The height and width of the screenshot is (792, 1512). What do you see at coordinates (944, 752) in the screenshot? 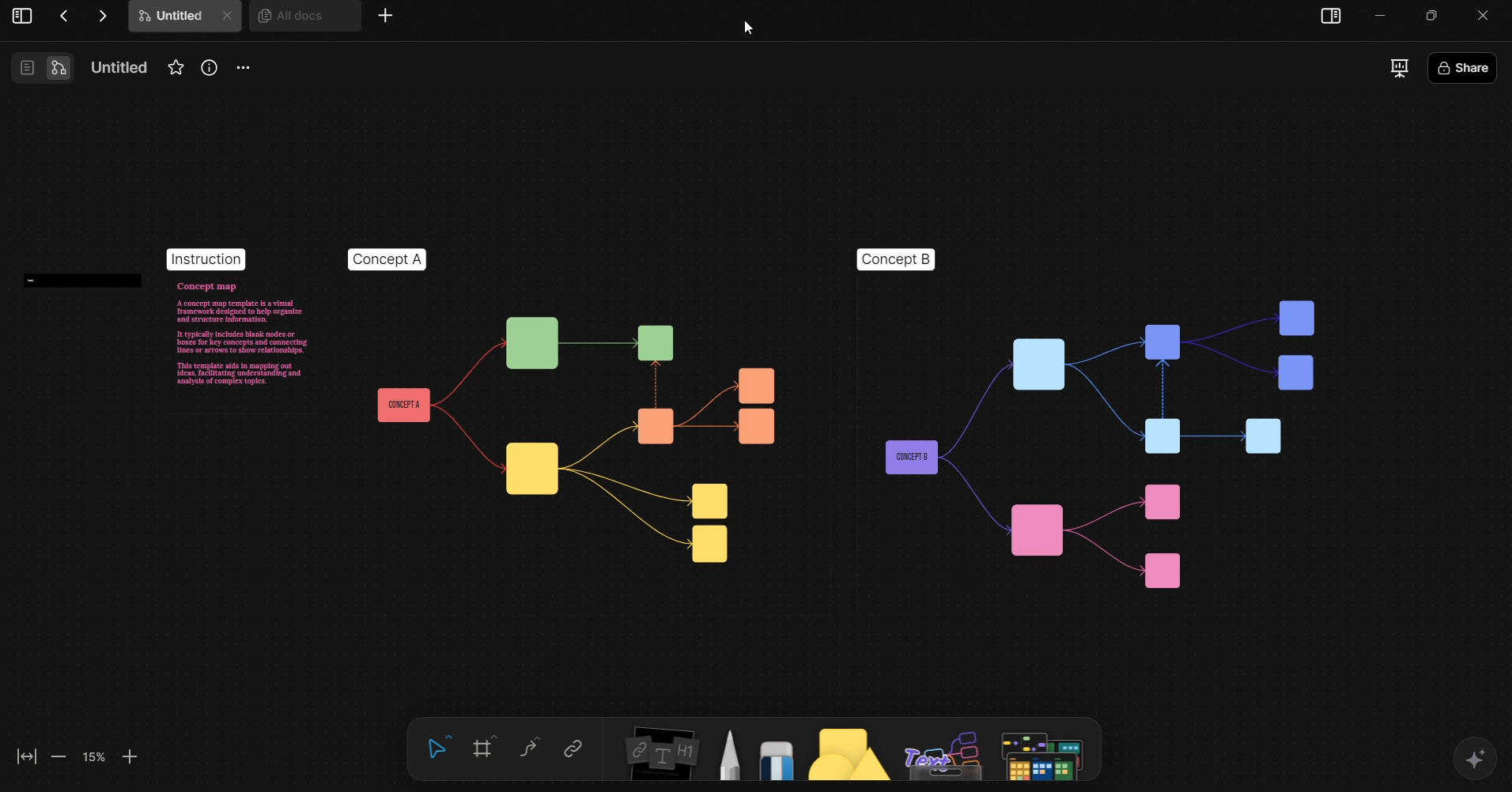
I see `Text Board Tool` at bounding box center [944, 752].